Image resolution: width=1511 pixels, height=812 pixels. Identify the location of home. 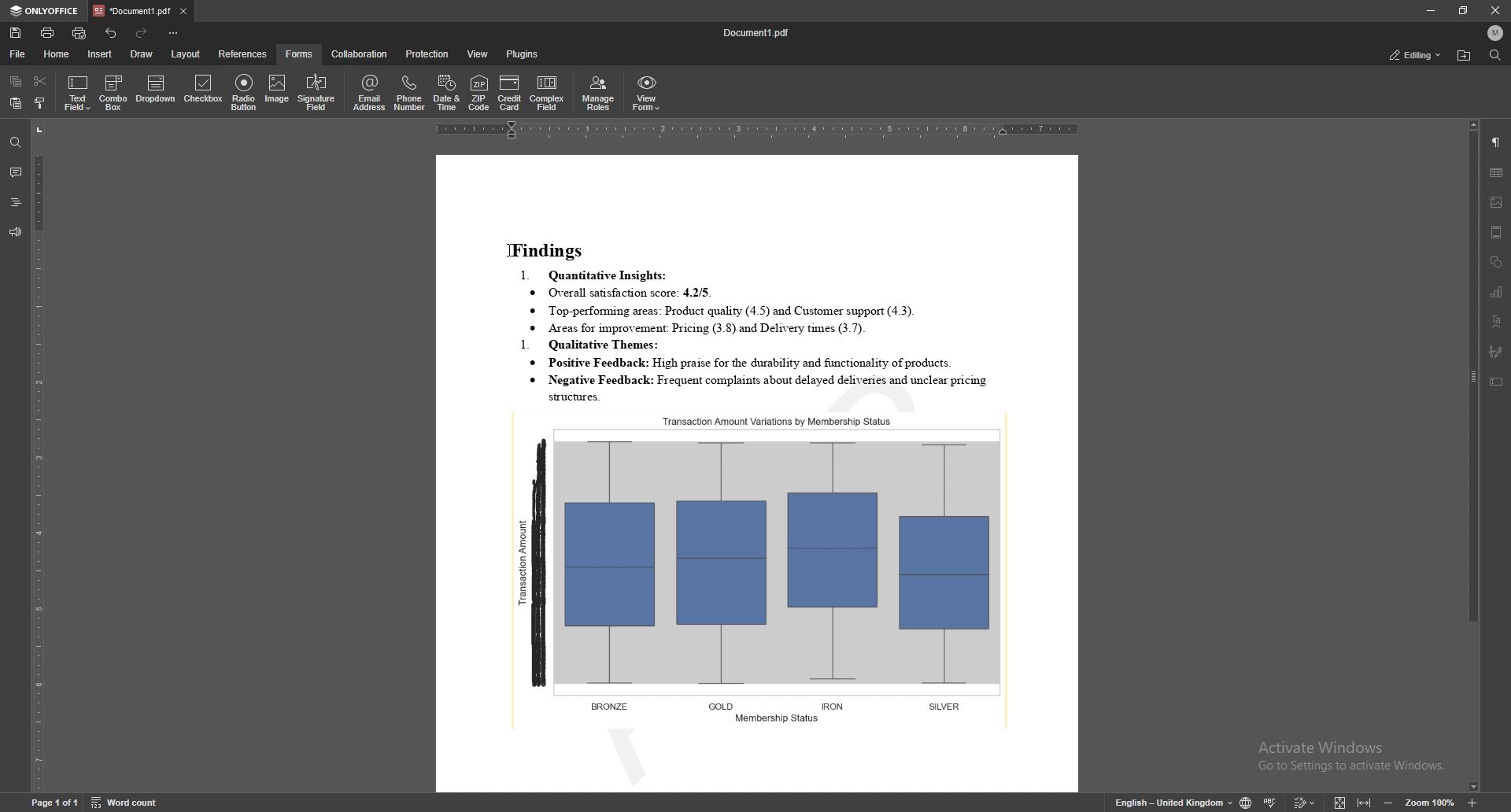
(57, 54).